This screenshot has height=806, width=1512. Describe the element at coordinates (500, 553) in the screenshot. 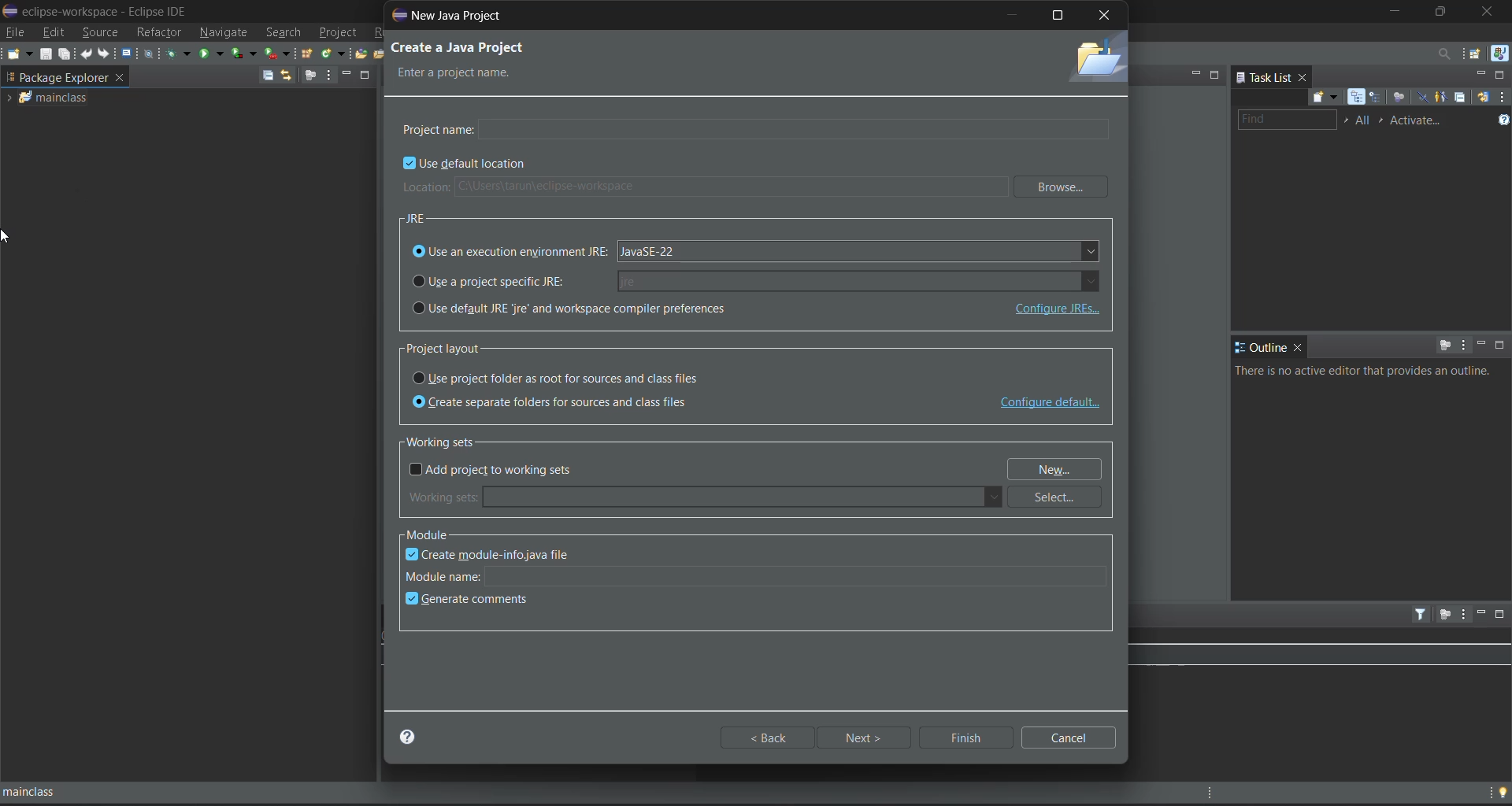

I see `create module info` at that location.